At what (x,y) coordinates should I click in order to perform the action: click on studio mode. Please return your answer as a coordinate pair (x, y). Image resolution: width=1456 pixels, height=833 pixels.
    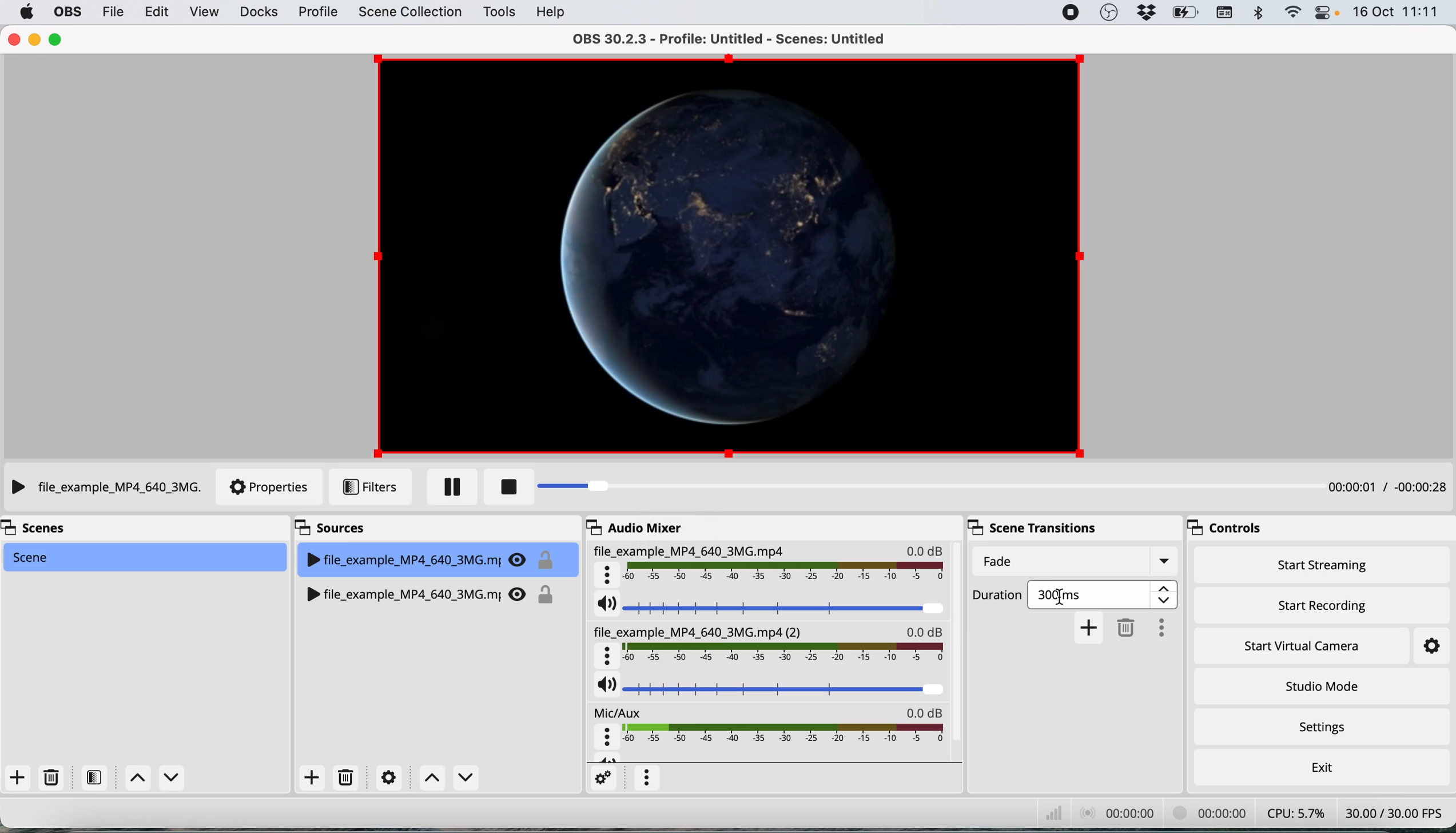
    Looking at the image, I should click on (1319, 686).